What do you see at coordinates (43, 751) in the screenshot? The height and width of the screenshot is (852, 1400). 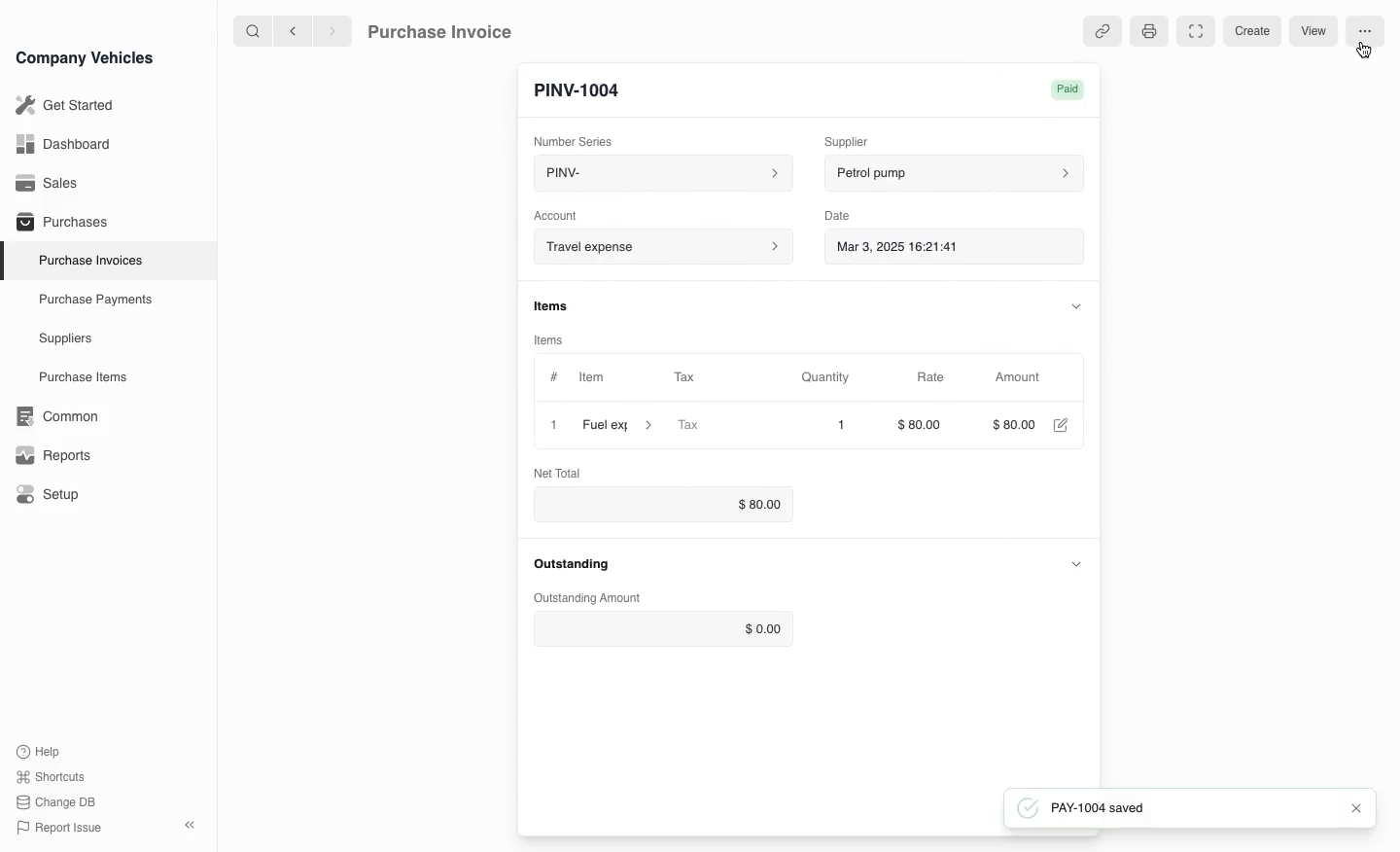 I see `Help` at bounding box center [43, 751].